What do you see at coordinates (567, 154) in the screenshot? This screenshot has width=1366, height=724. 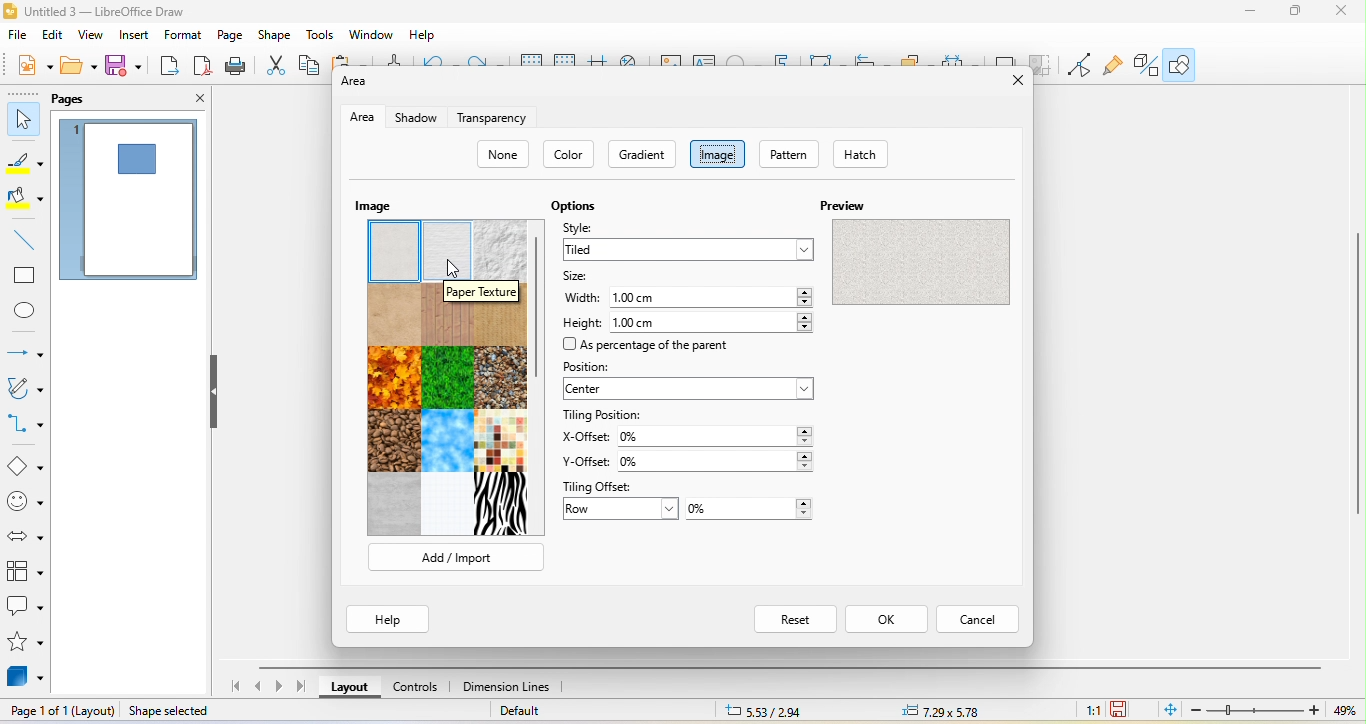 I see `color` at bounding box center [567, 154].